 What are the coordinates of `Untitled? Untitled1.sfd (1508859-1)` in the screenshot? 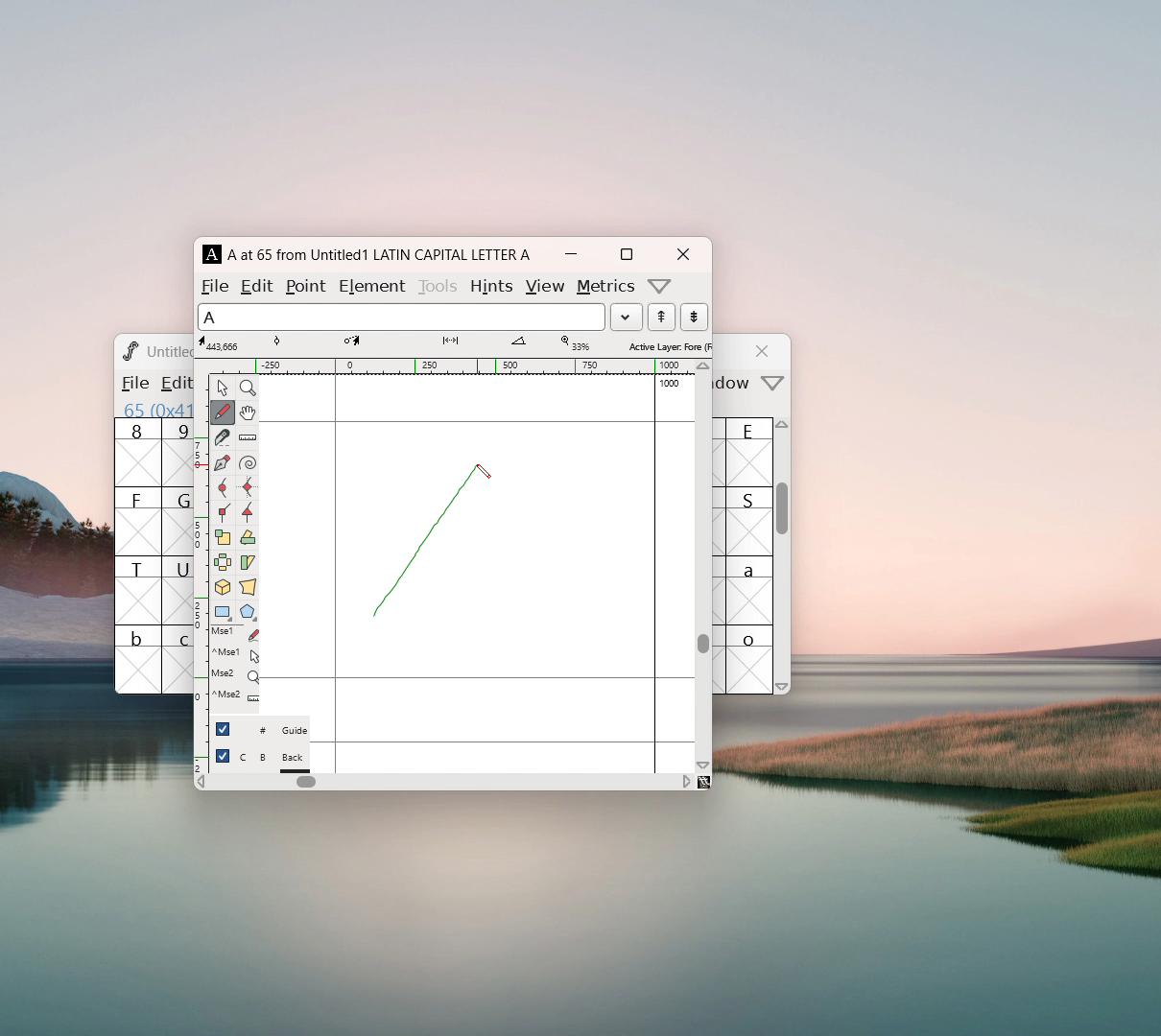 It's located at (170, 351).